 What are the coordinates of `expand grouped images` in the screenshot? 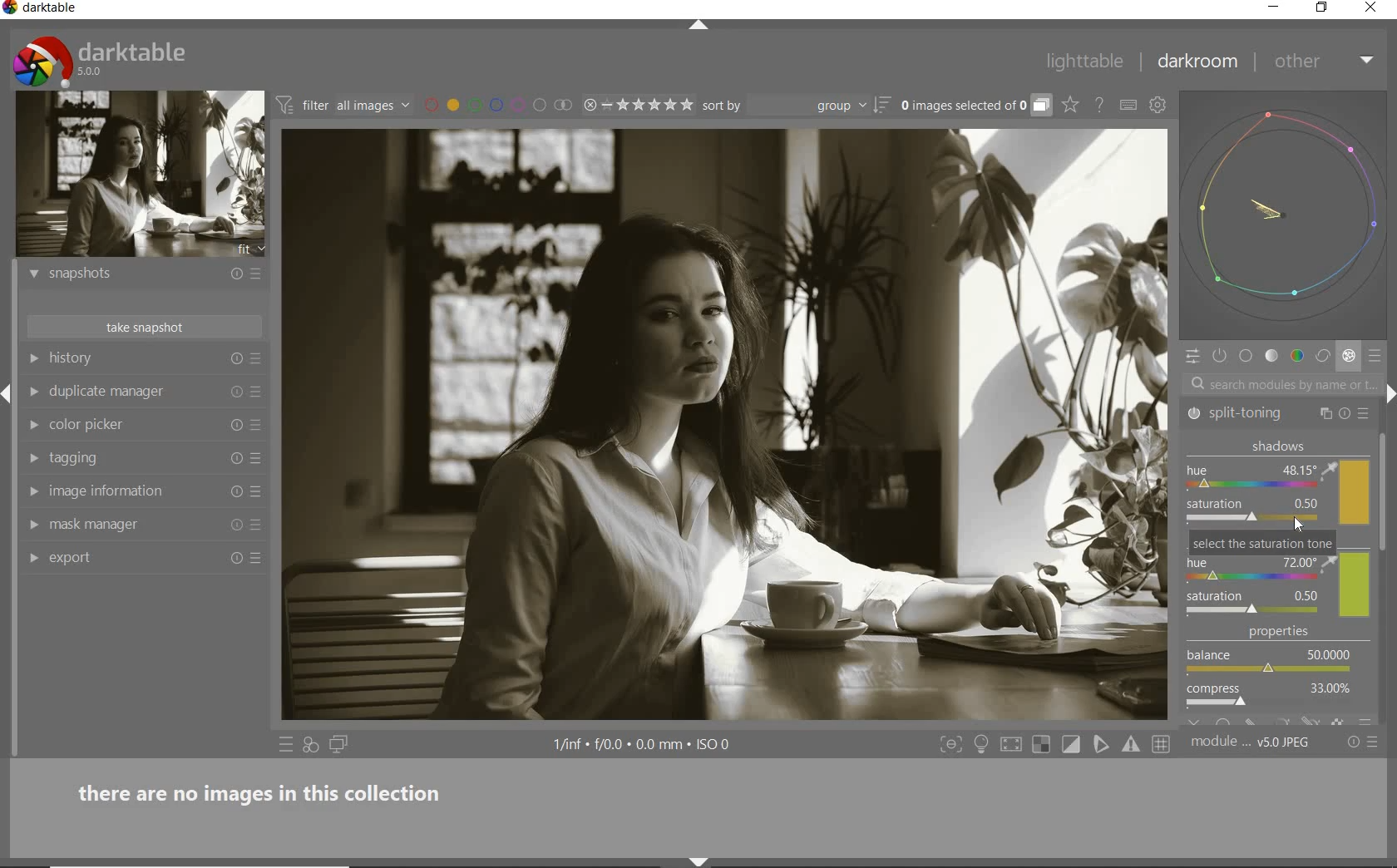 It's located at (975, 106).